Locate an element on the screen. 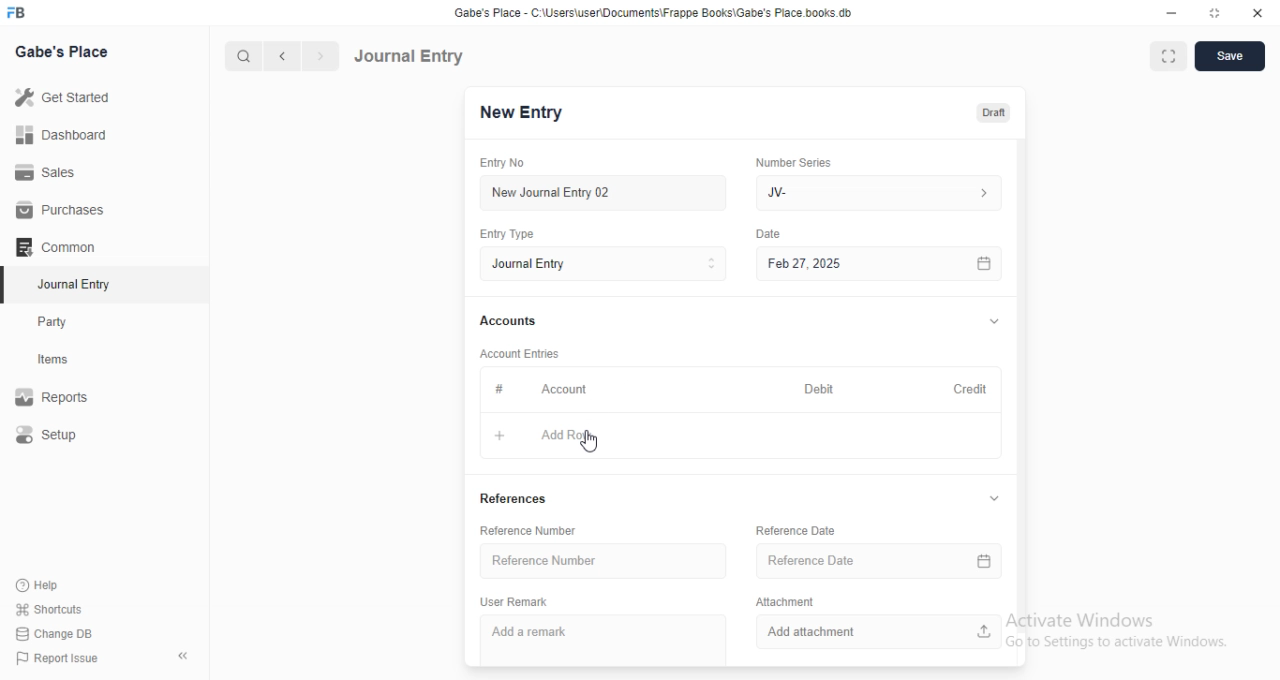  Items is located at coordinates (55, 360).